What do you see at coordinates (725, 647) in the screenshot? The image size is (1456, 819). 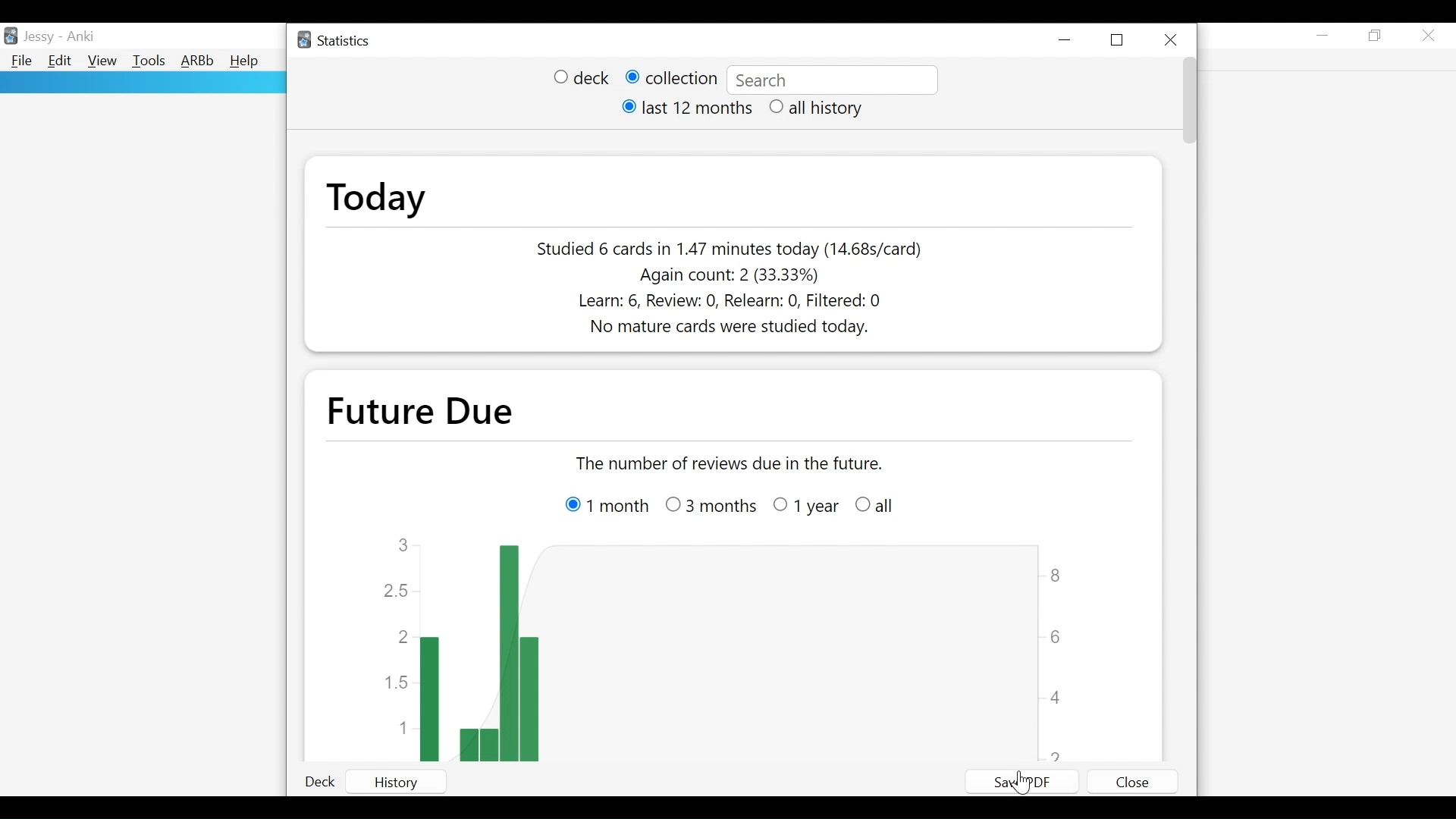 I see `Graph` at bounding box center [725, 647].